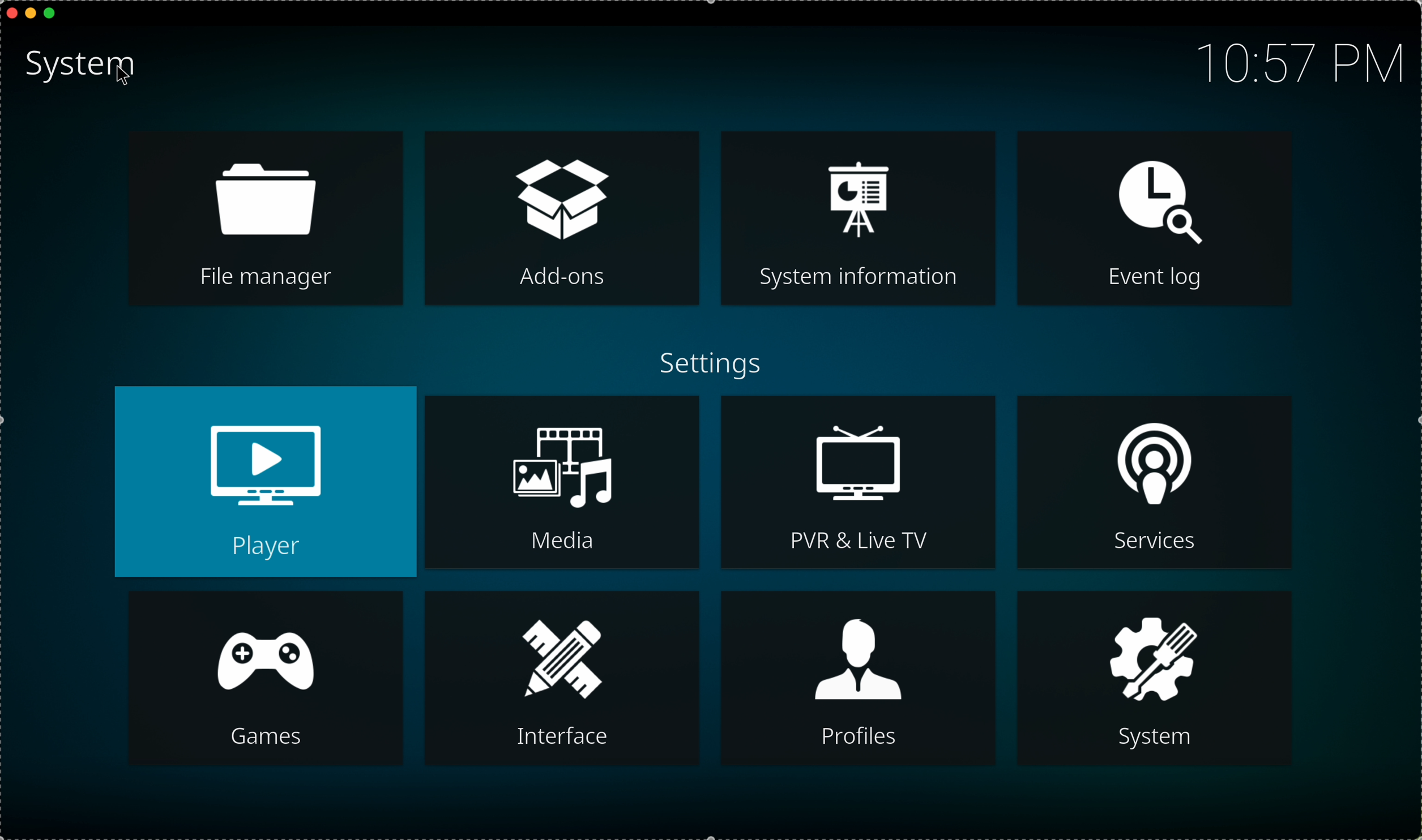  Describe the element at coordinates (564, 482) in the screenshot. I see `media` at that location.